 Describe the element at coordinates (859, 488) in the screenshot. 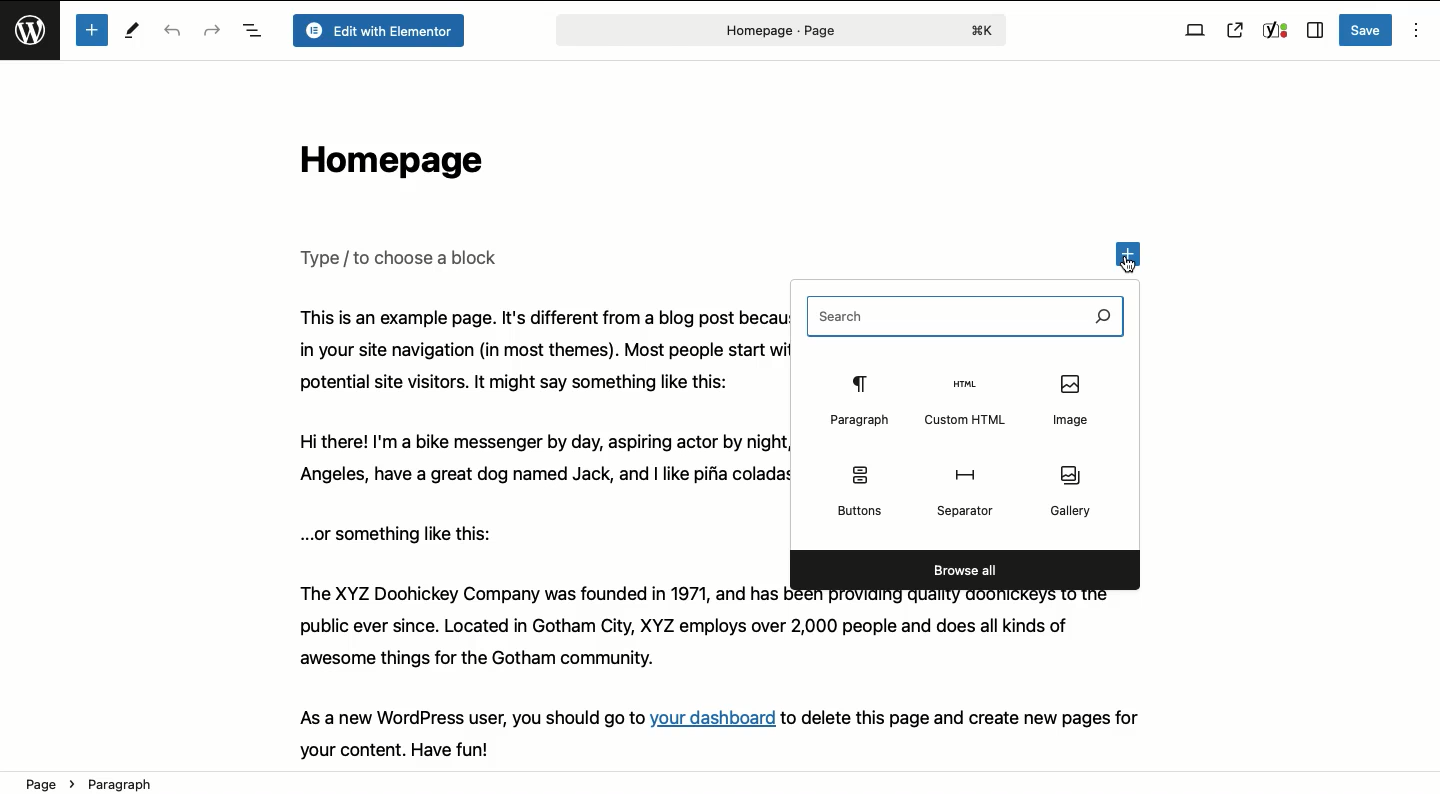

I see `Buttons` at that location.